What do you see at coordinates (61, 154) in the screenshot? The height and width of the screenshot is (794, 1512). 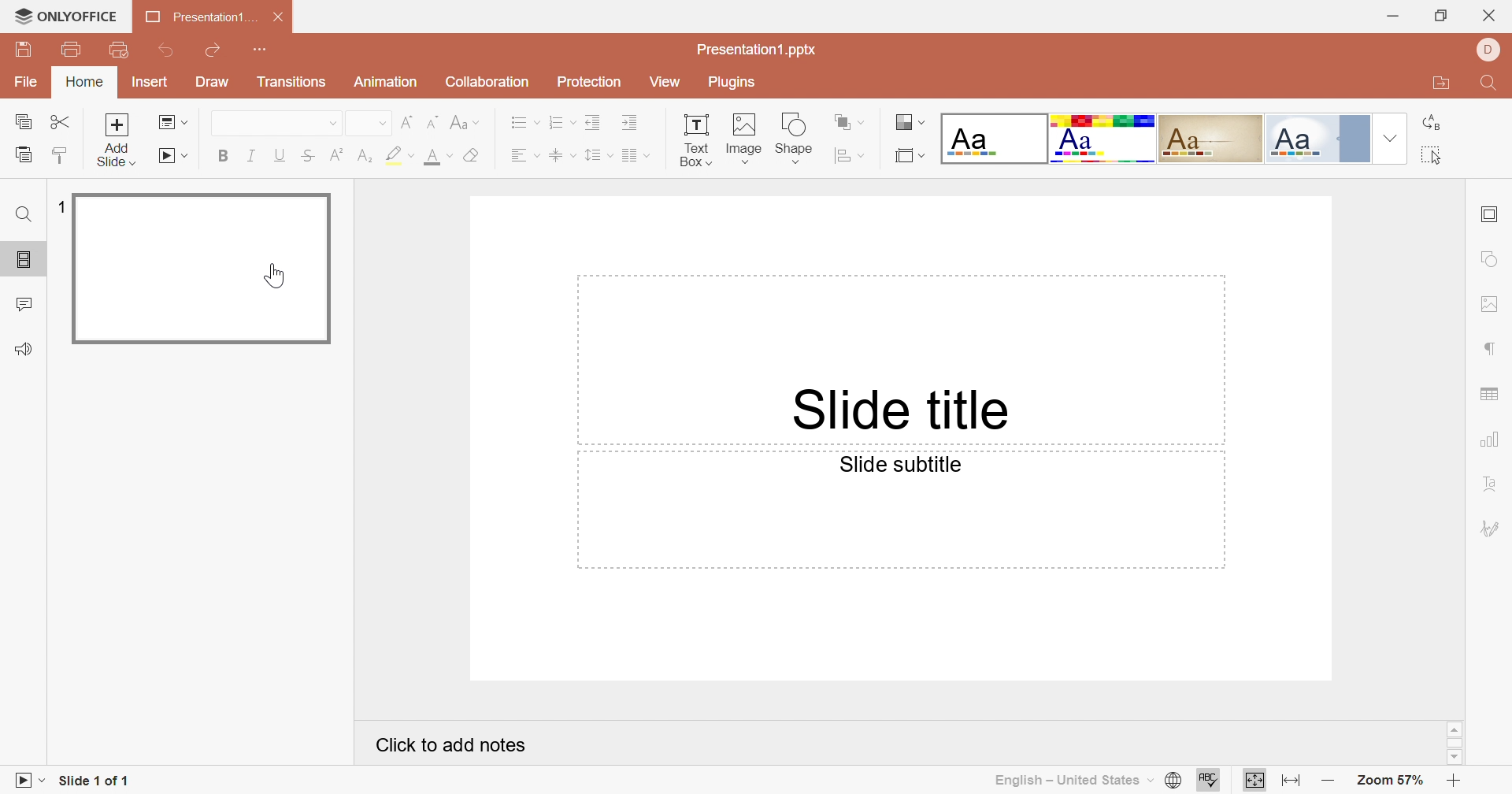 I see `Copy Style` at bounding box center [61, 154].